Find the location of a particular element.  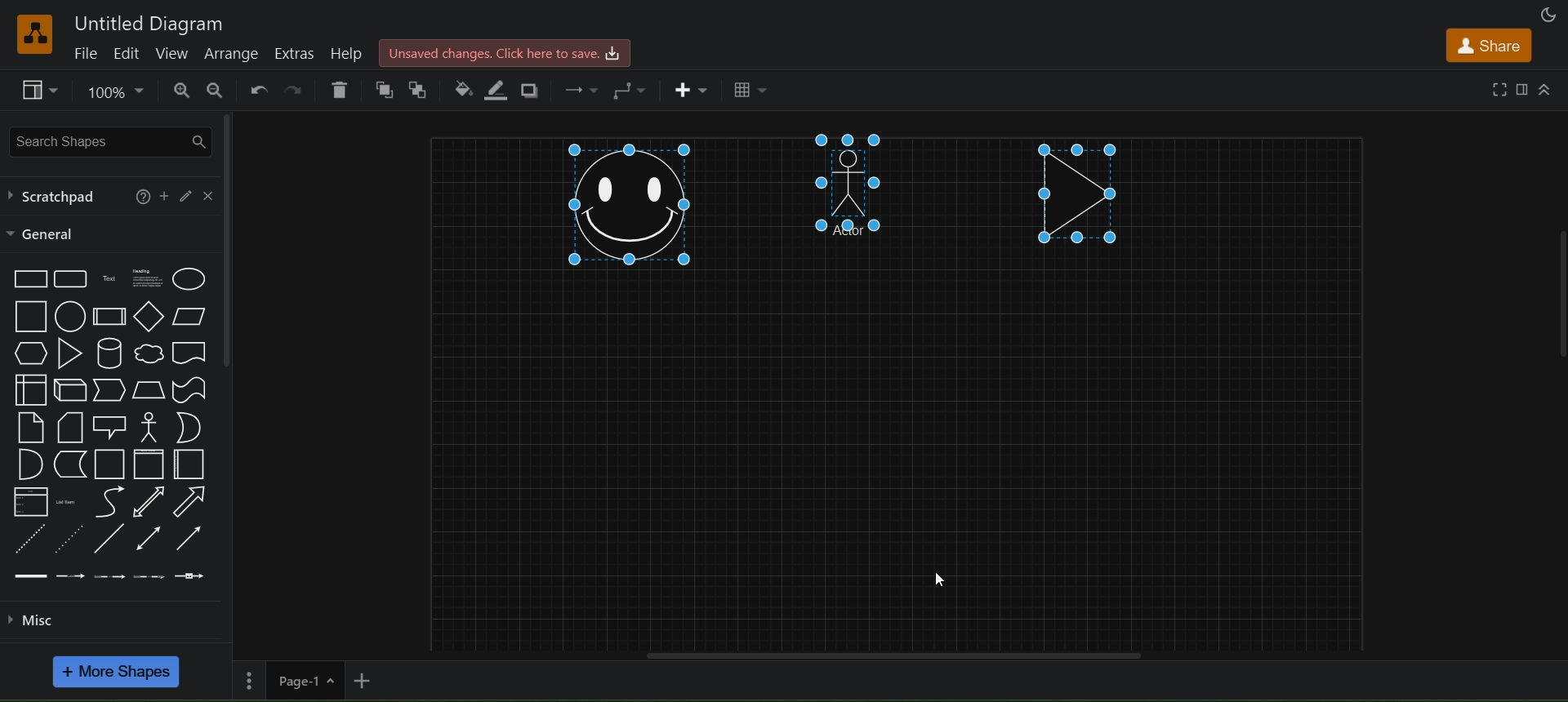

more shapes is located at coordinates (118, 673).